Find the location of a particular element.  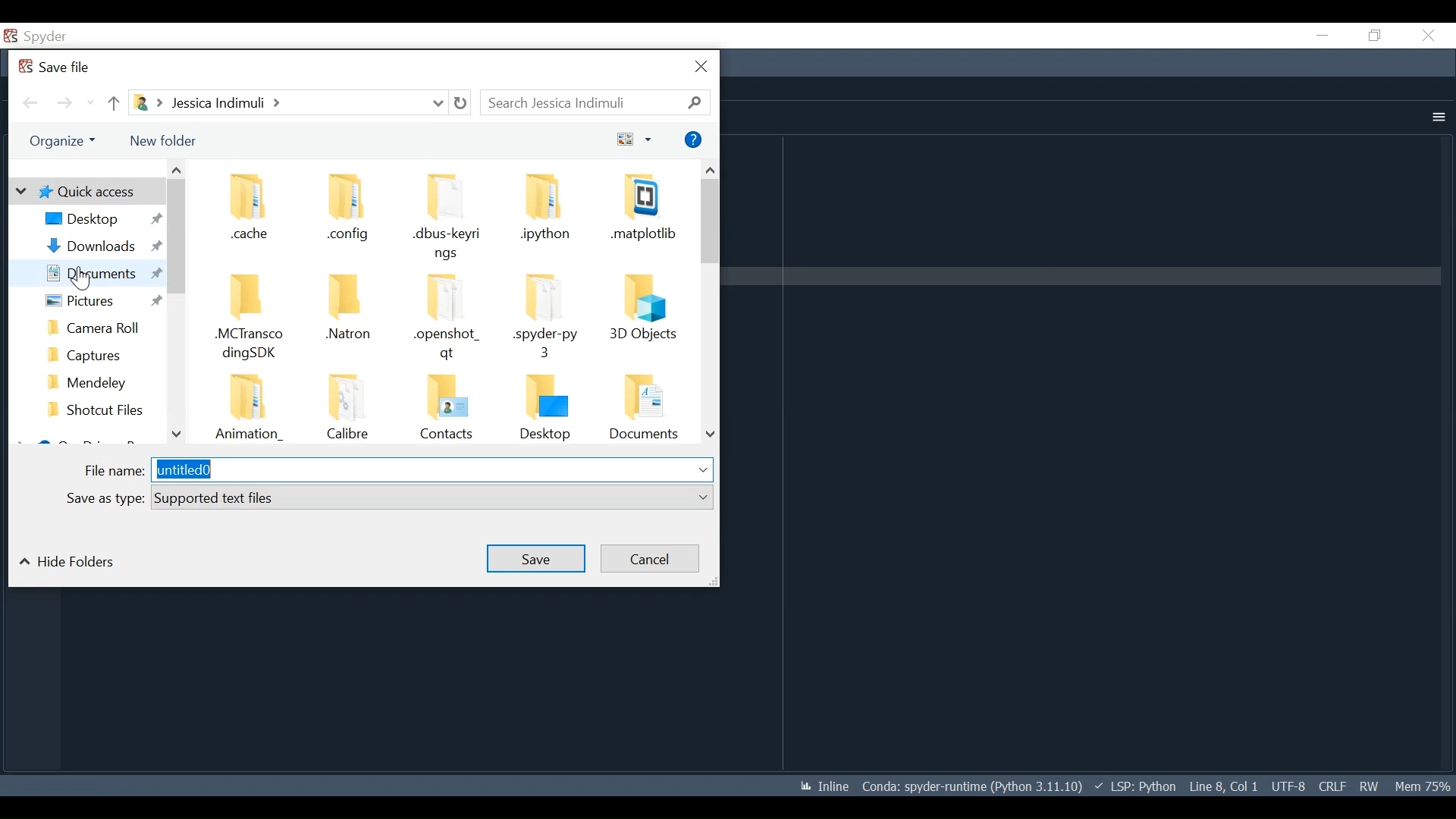

Folder is located at coordinates (253, 320).